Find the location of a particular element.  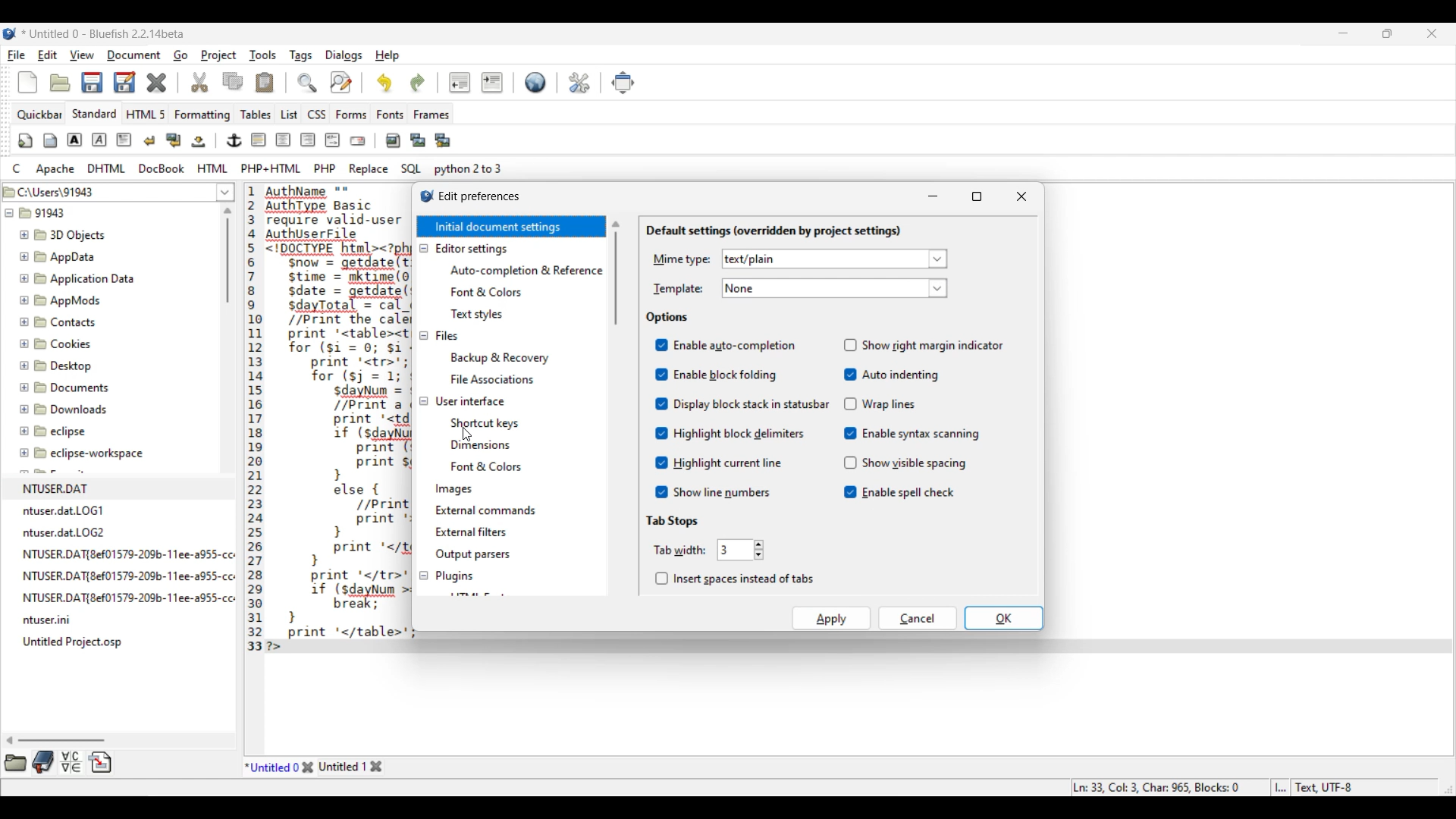

NTUSER.DAT is located at coordinates (99, 486).